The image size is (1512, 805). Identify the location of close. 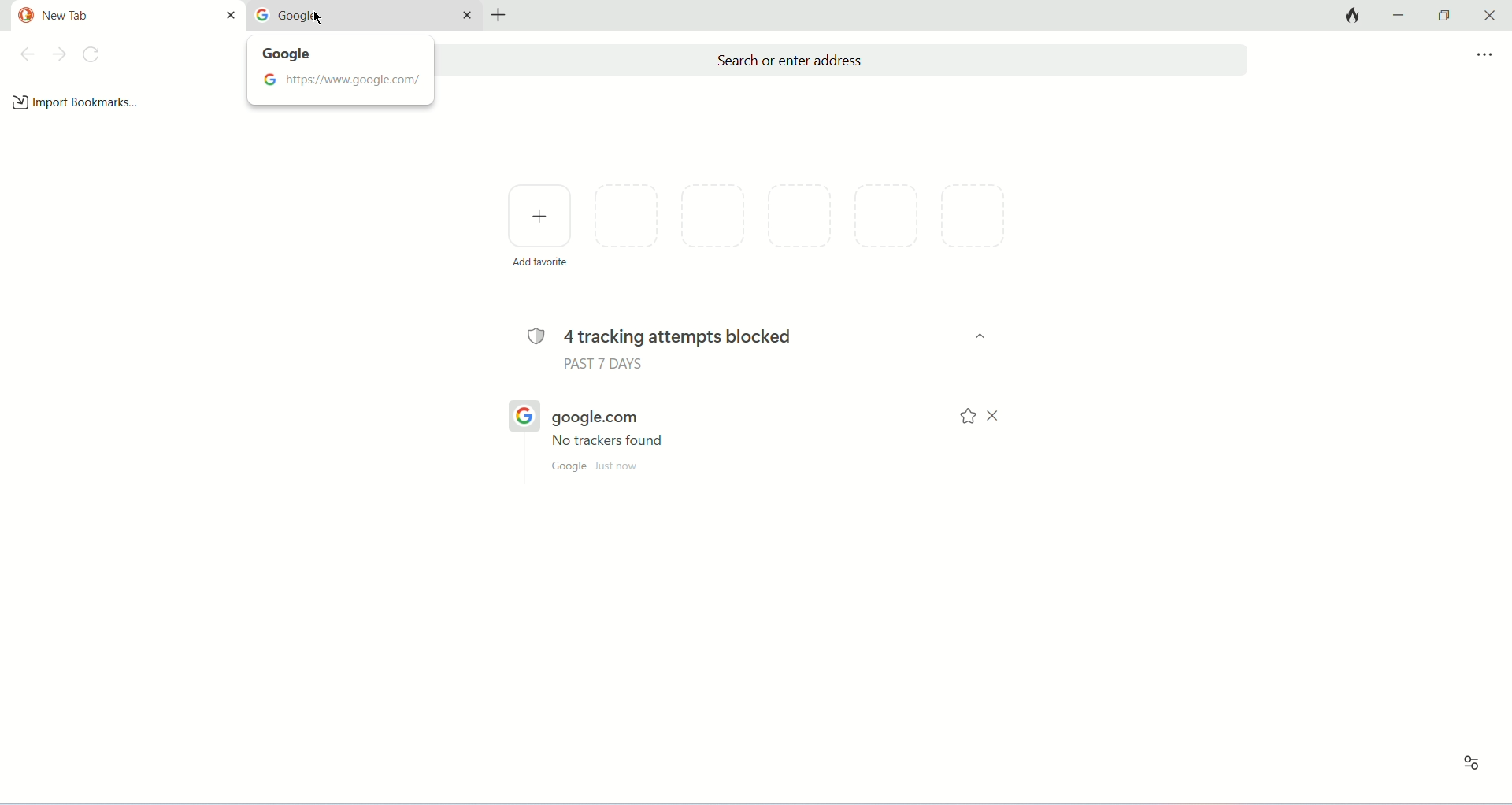
(998, 418).